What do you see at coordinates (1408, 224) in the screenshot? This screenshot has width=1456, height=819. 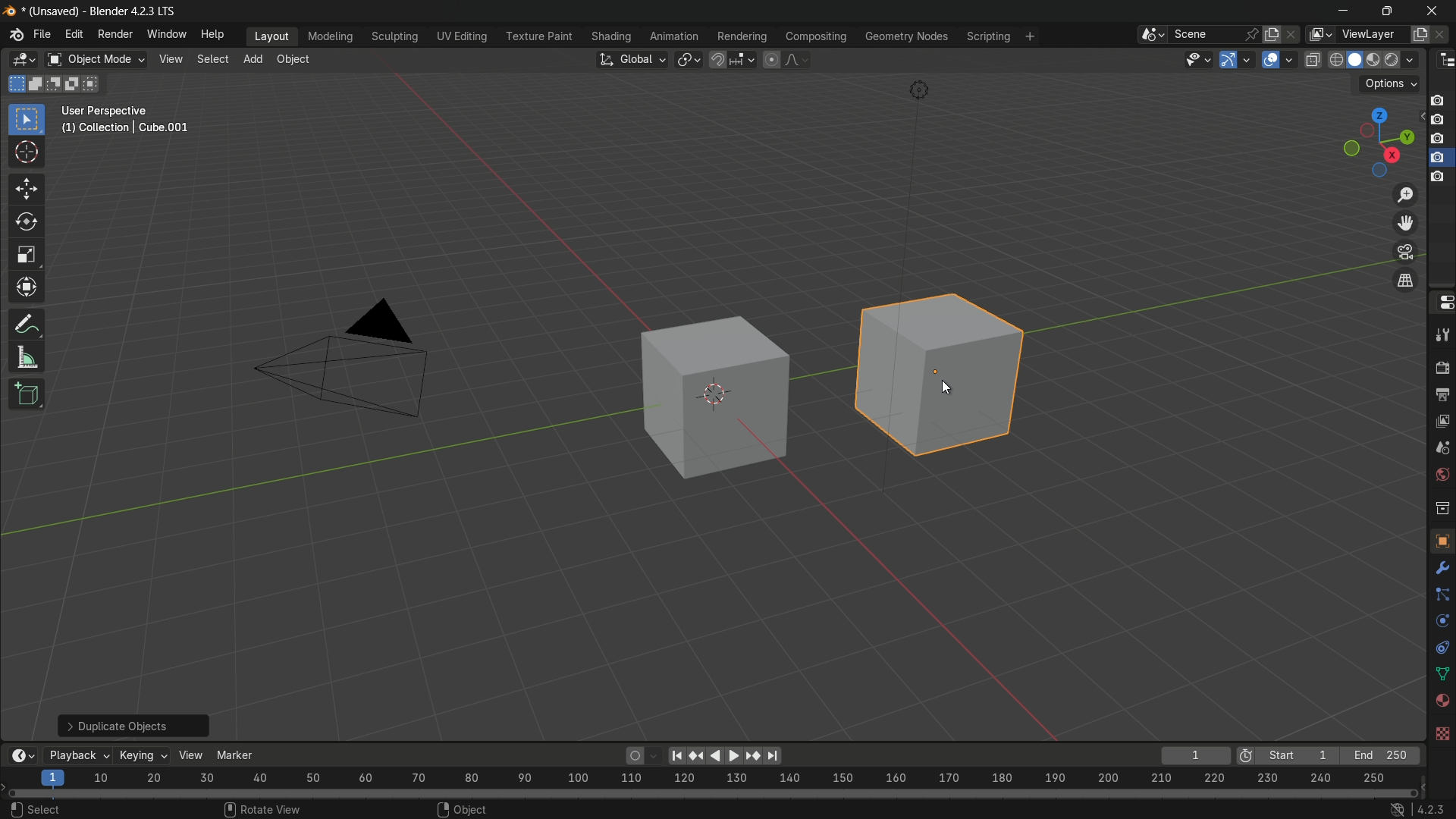 I see `move the view` at bounding box center [1408, 224].